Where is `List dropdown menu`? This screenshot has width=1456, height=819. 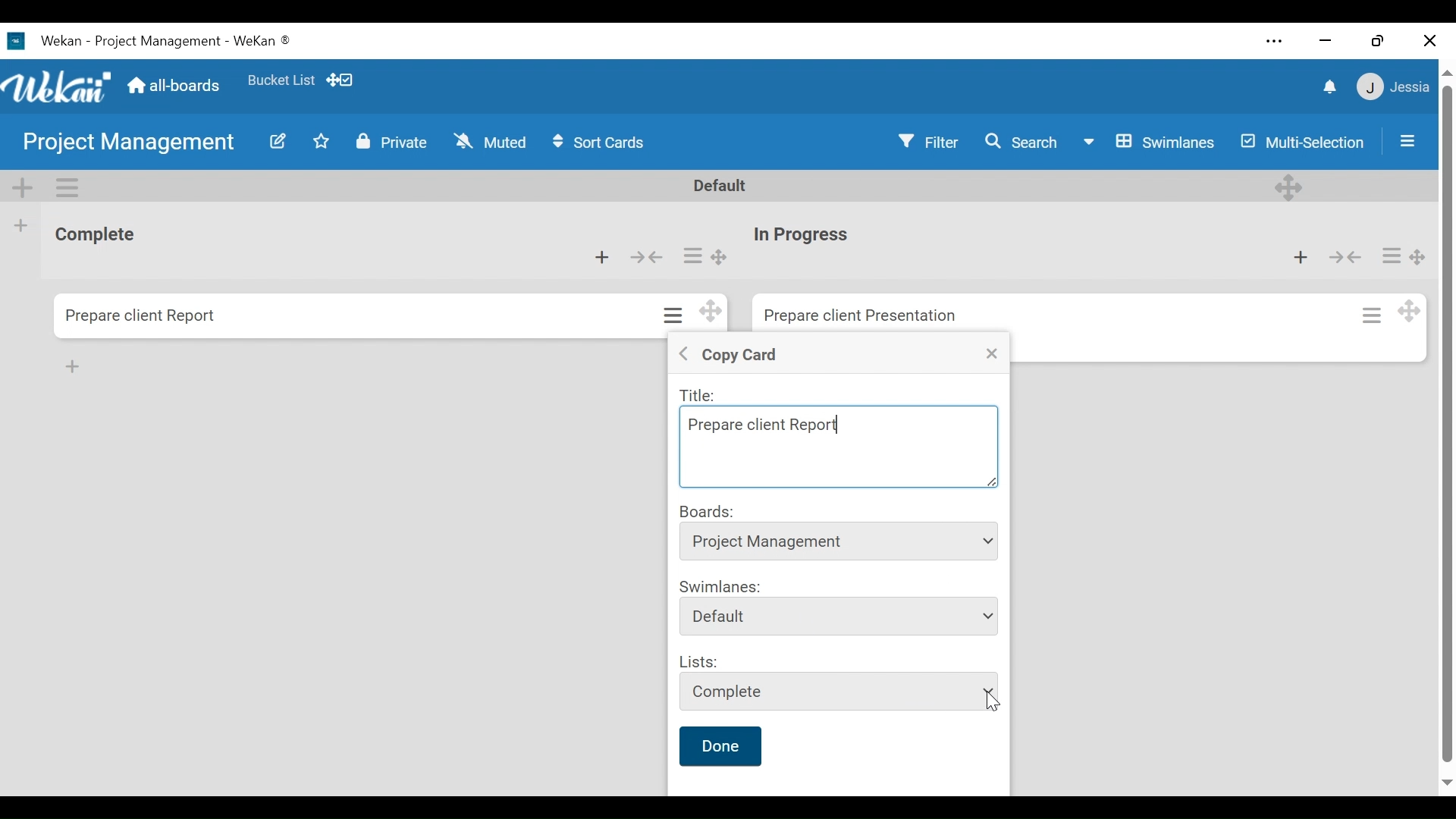
List dropdown menu is located at coordinates (838, 691).